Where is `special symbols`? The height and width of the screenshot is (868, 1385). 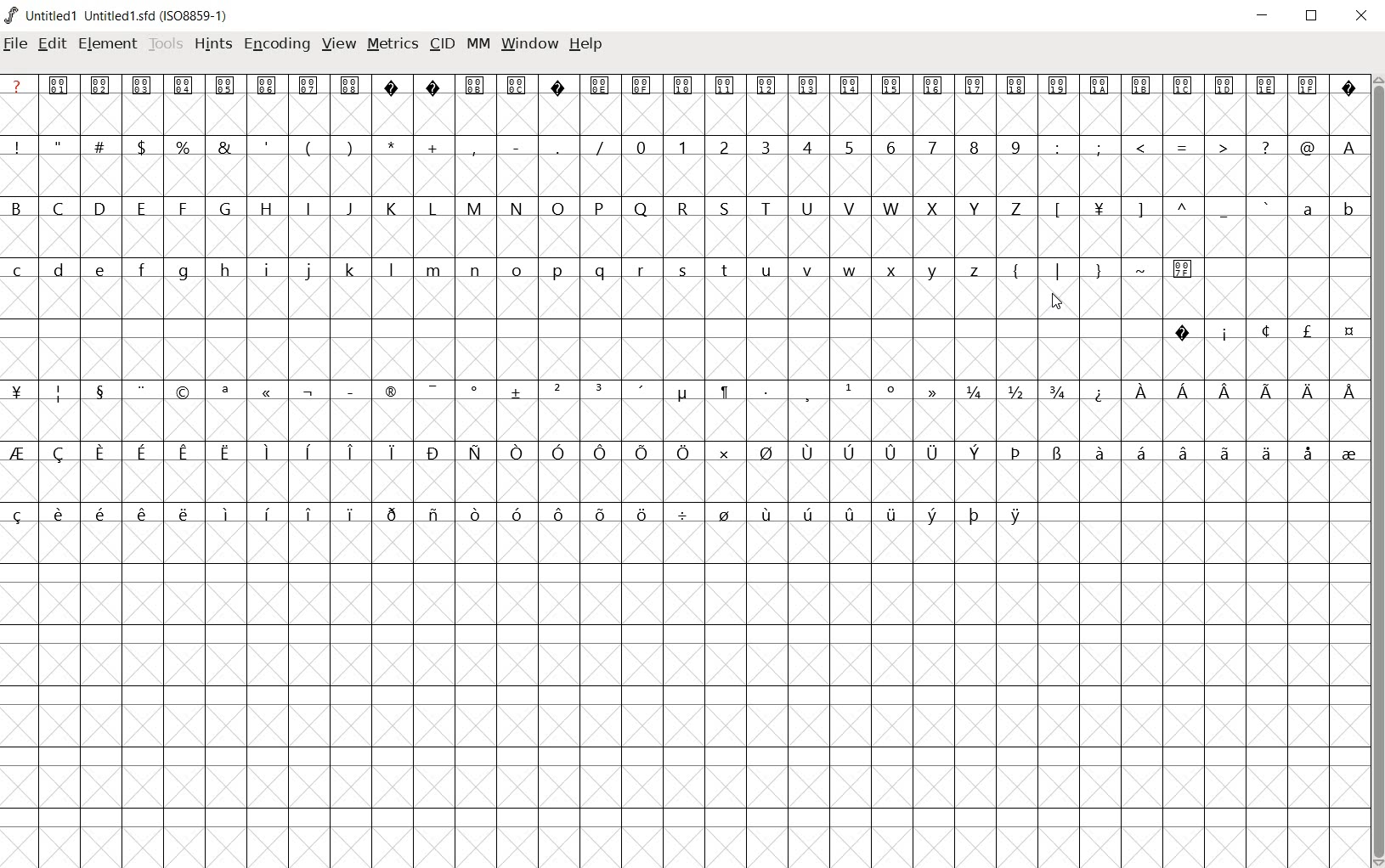
special symbols is located at coordinates (685, 86).